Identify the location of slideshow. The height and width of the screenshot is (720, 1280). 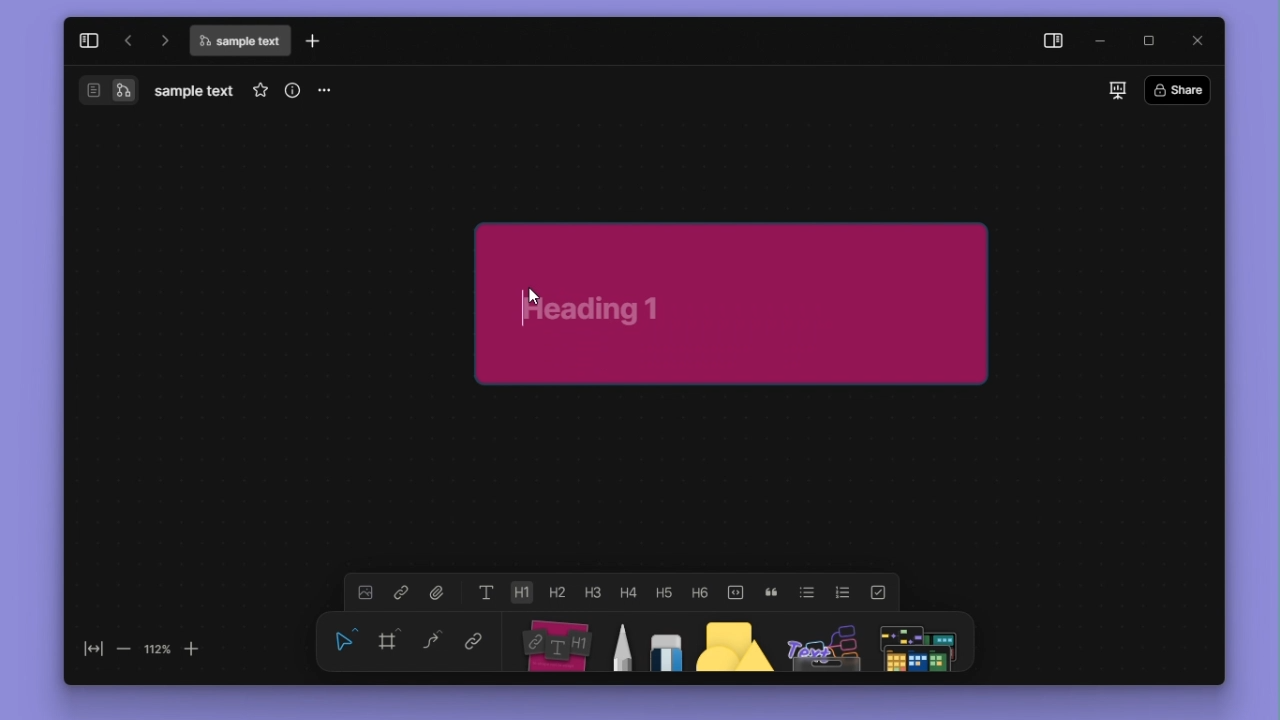
(1118, 90).